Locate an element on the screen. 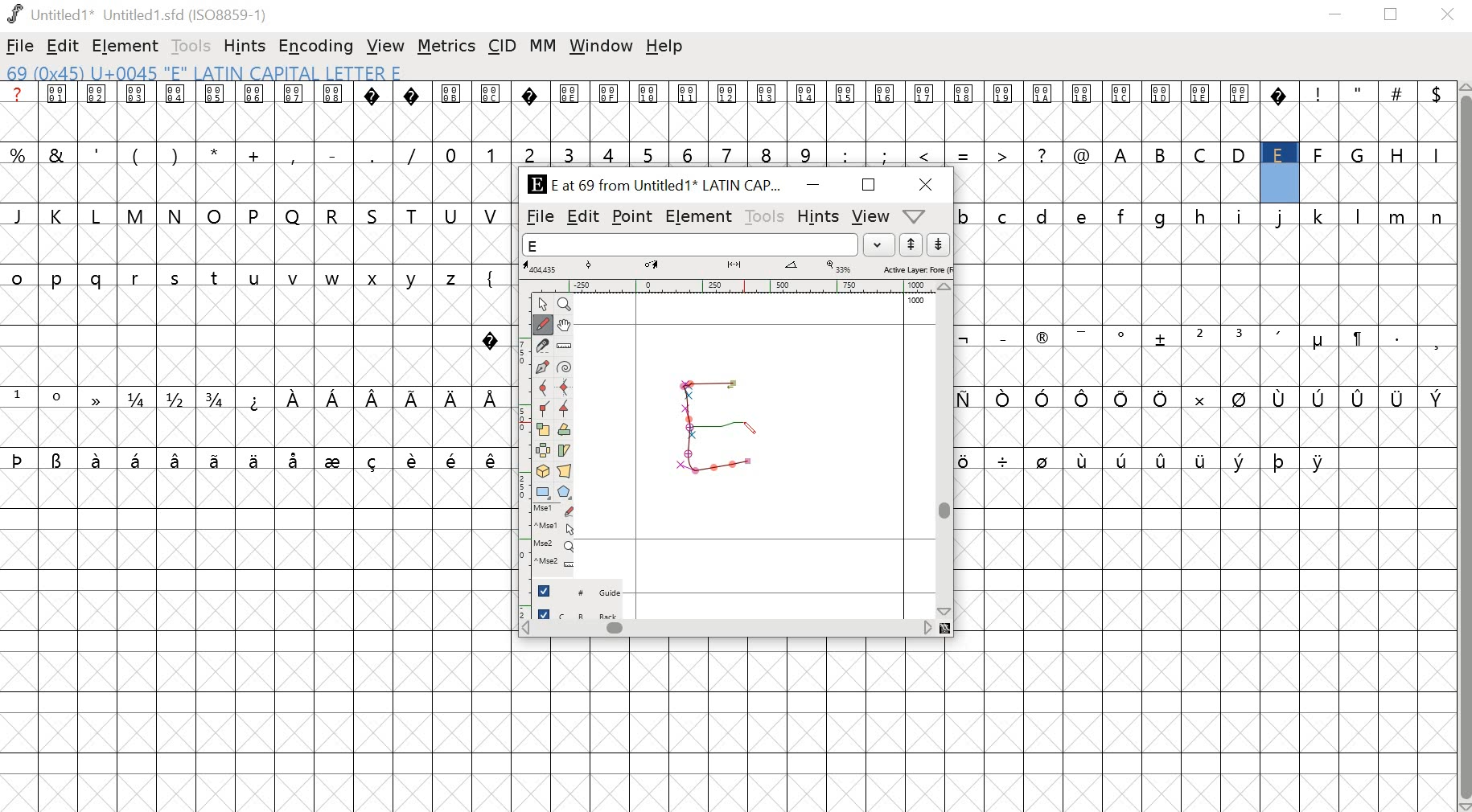 The height and width of the screenshot is (812, 1472). symbols and numbers is located at coordinates (549, 154).